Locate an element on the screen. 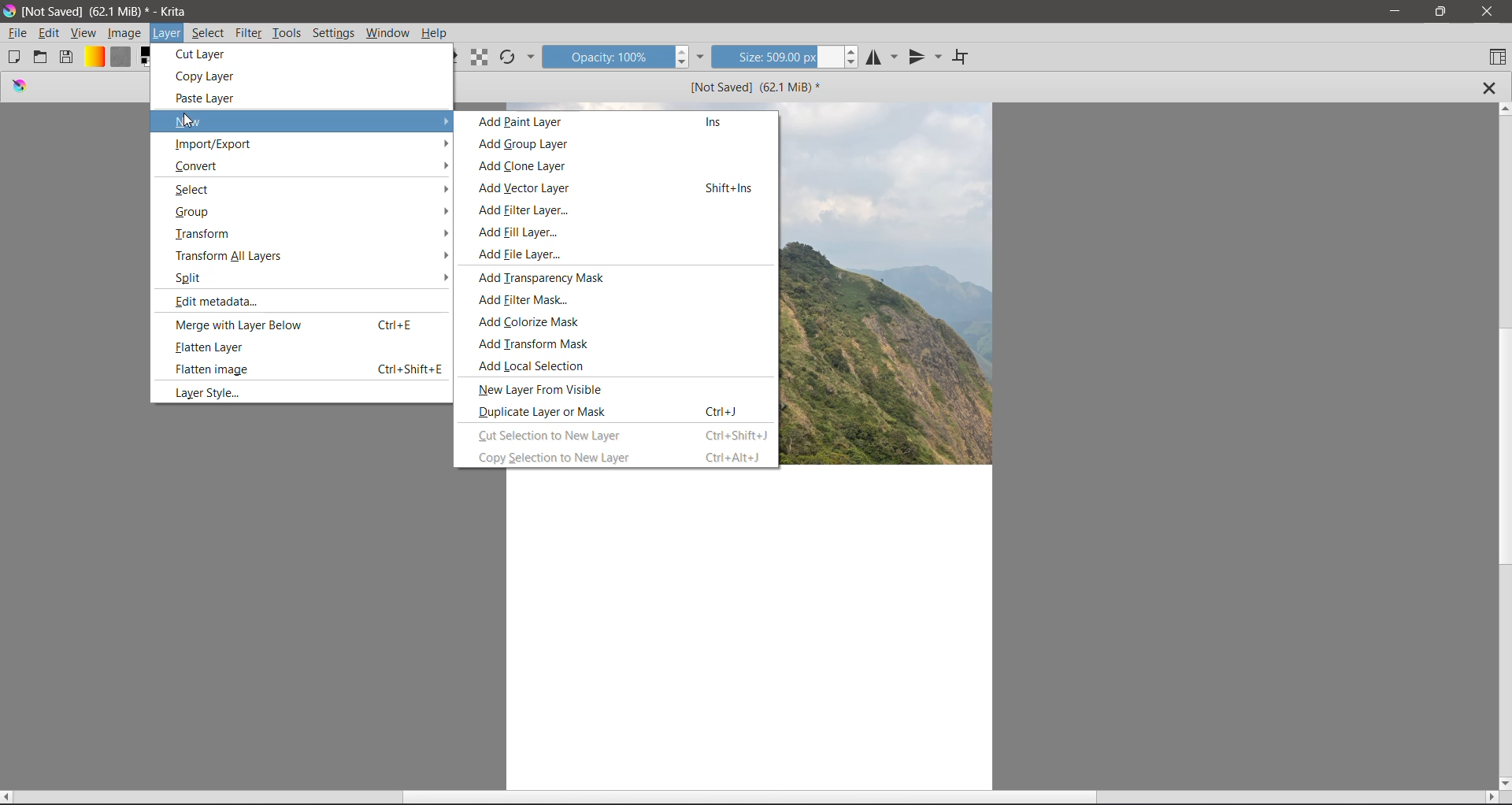 The image size is (1512, 805). Flatten Image is located at coordinates (309, 369).